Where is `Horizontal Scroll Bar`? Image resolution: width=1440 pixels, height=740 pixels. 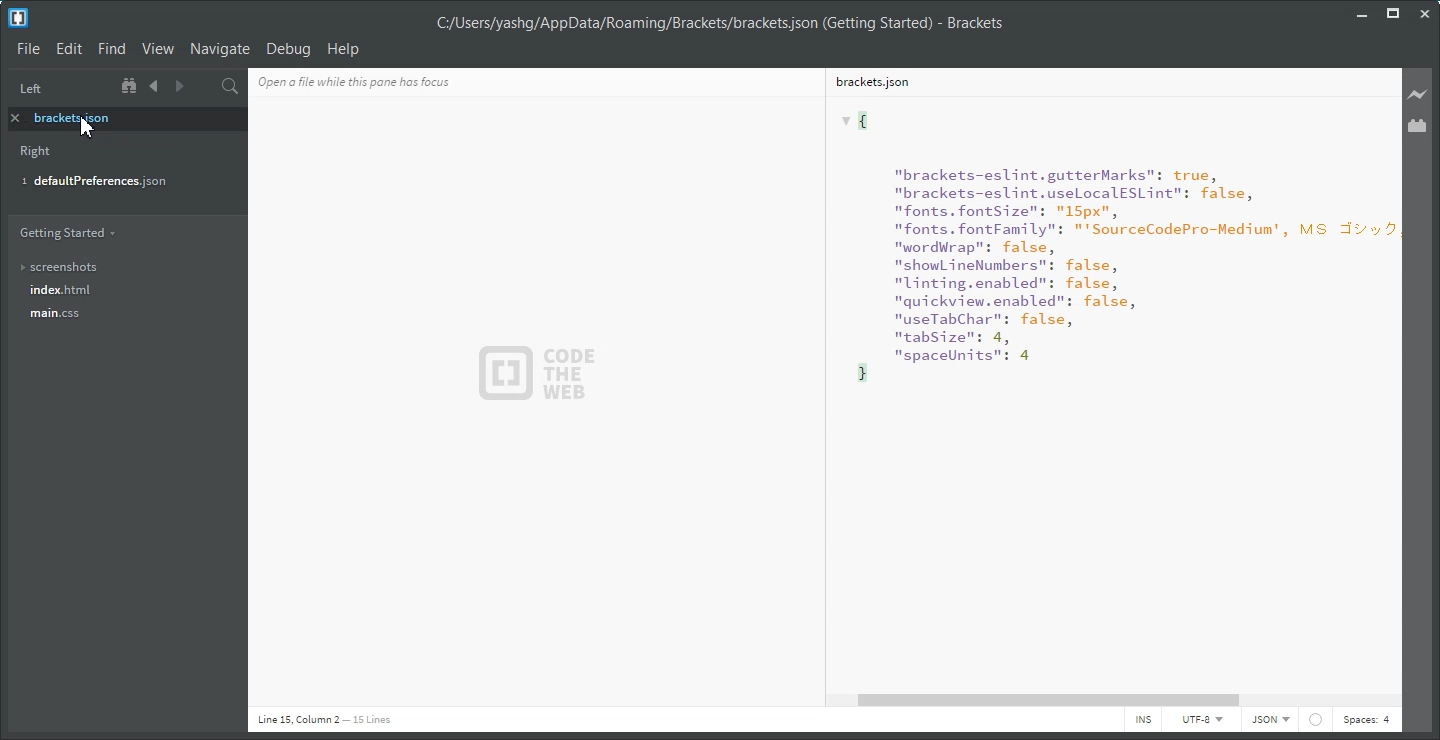 Horizontal Scroll Bar is located at coordinates (1119, 700).